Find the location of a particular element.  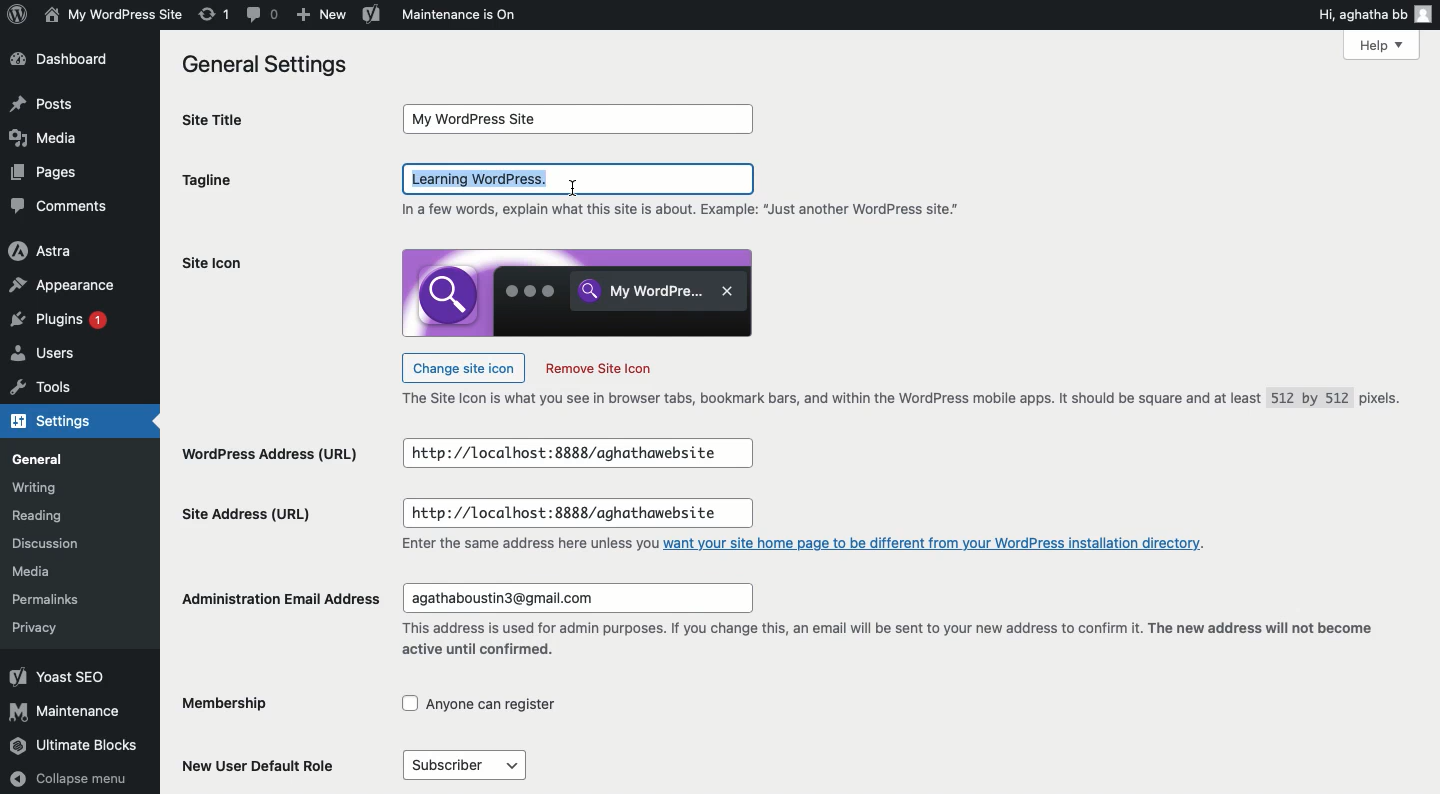

Tools is located at coordinates (43, 391).